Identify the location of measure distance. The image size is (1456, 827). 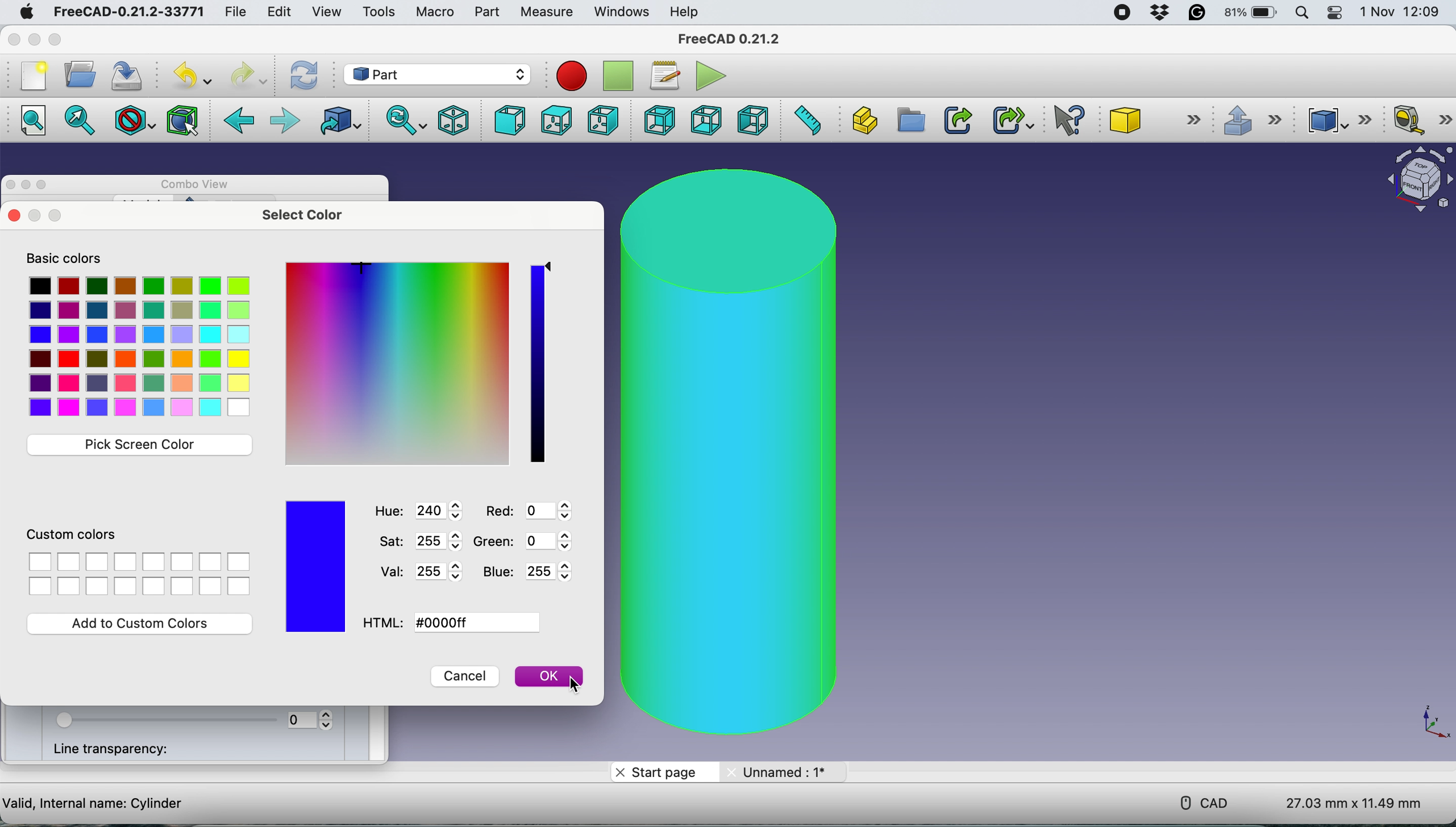
(810, 120).